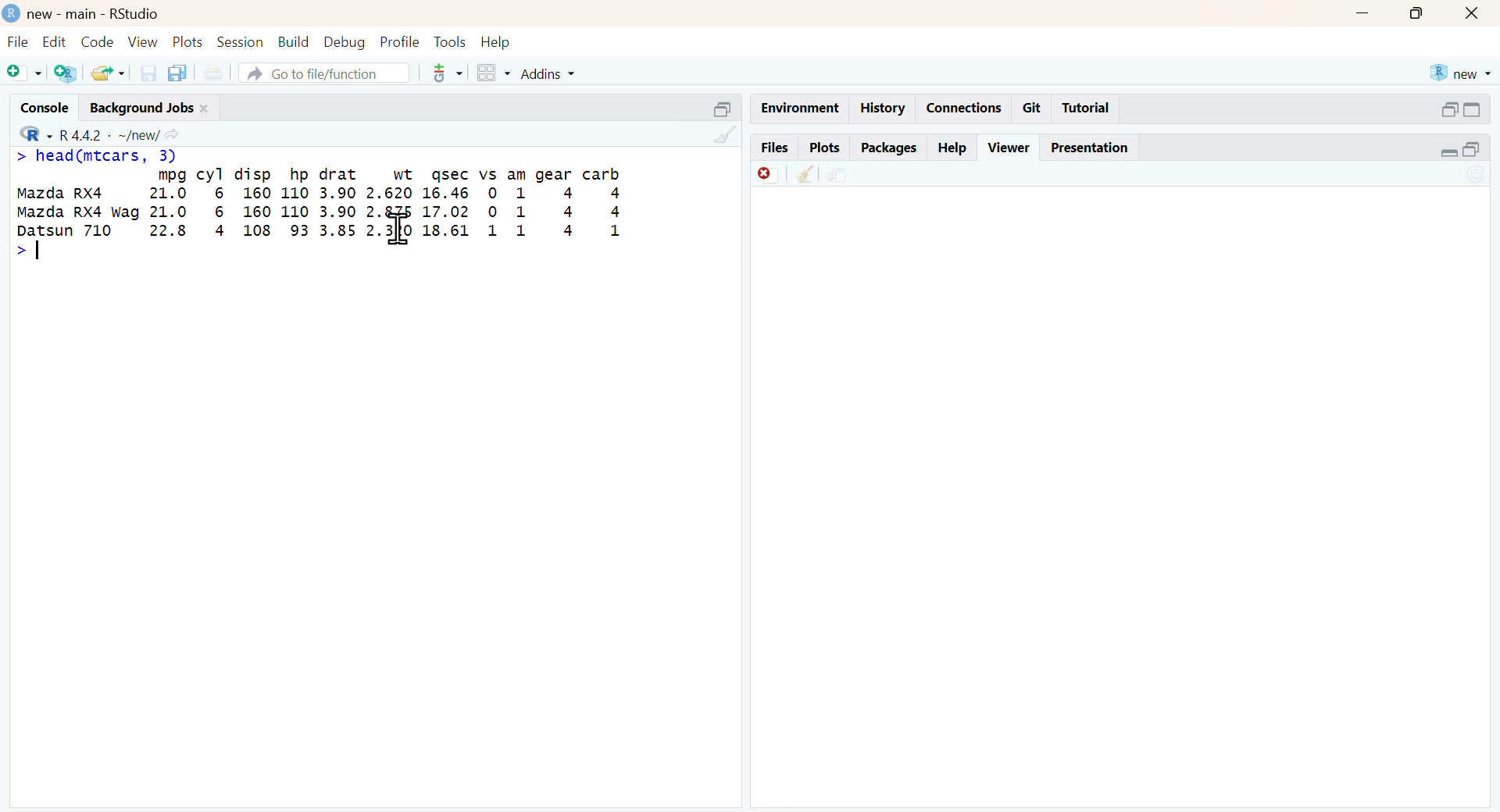 The image size is (1500, 812). I want to click on Console, so click(39, 104).